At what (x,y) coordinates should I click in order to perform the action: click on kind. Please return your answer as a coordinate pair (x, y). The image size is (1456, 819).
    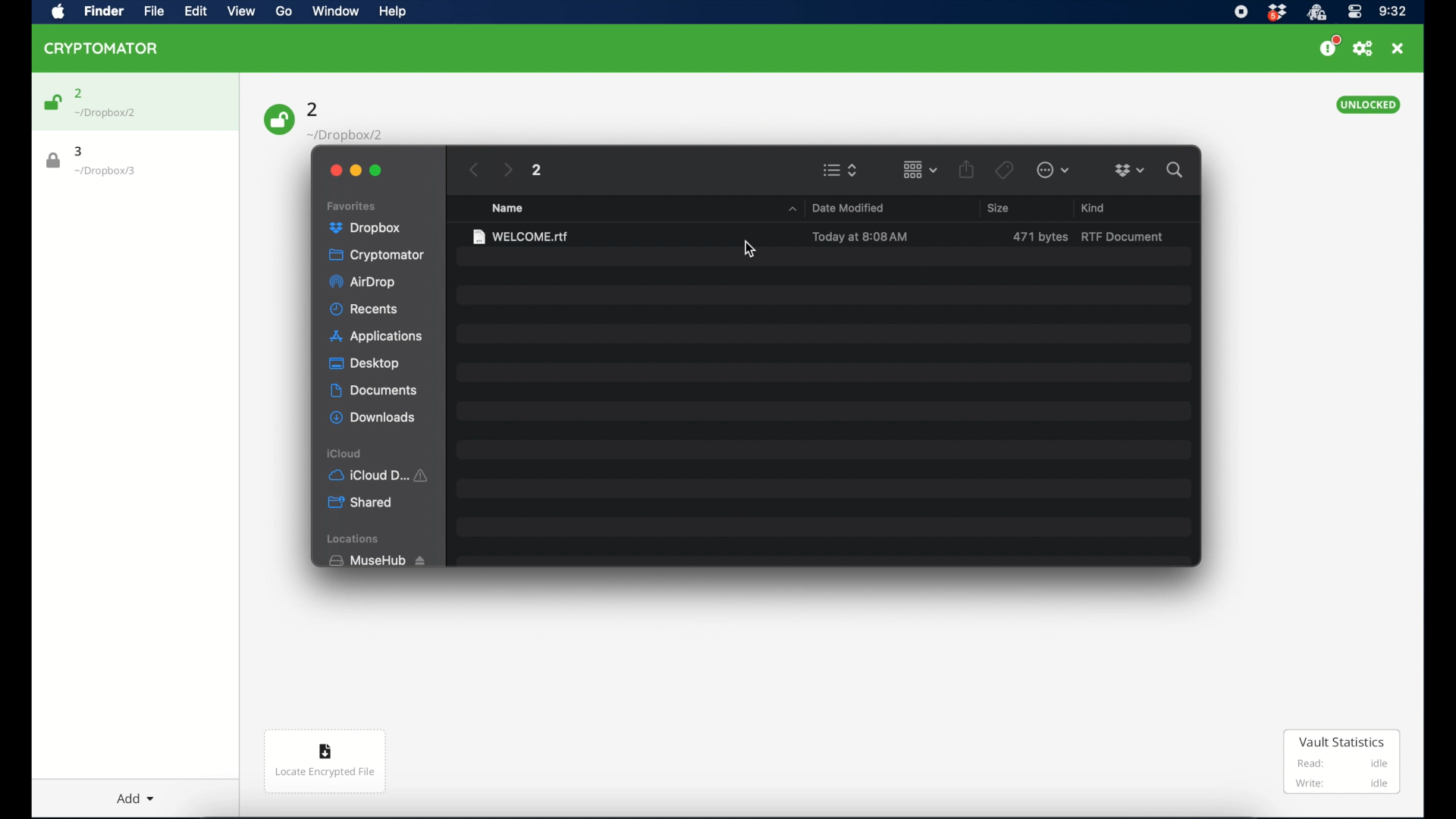
    Looking at the image, I should click on (1092, 206).